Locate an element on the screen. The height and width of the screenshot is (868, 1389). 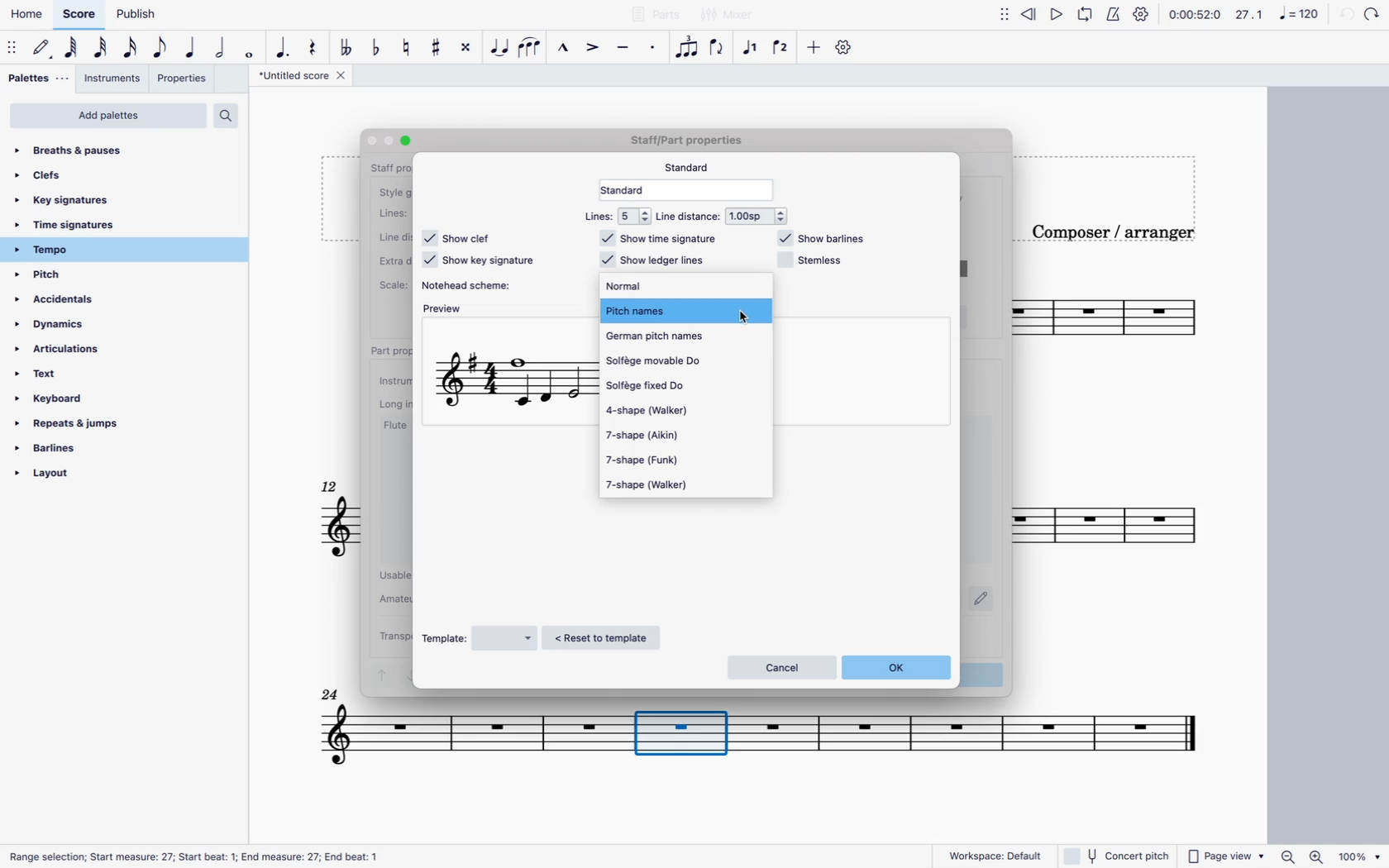
ok is located at coordinates (900, 667).